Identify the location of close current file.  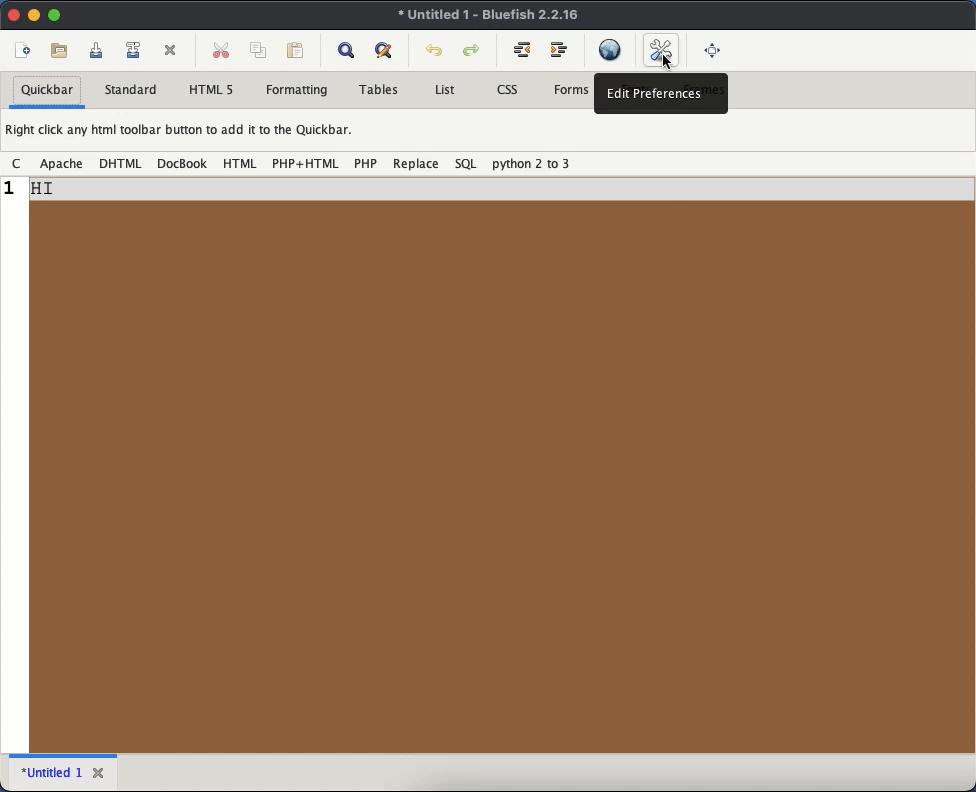
(171, 52).